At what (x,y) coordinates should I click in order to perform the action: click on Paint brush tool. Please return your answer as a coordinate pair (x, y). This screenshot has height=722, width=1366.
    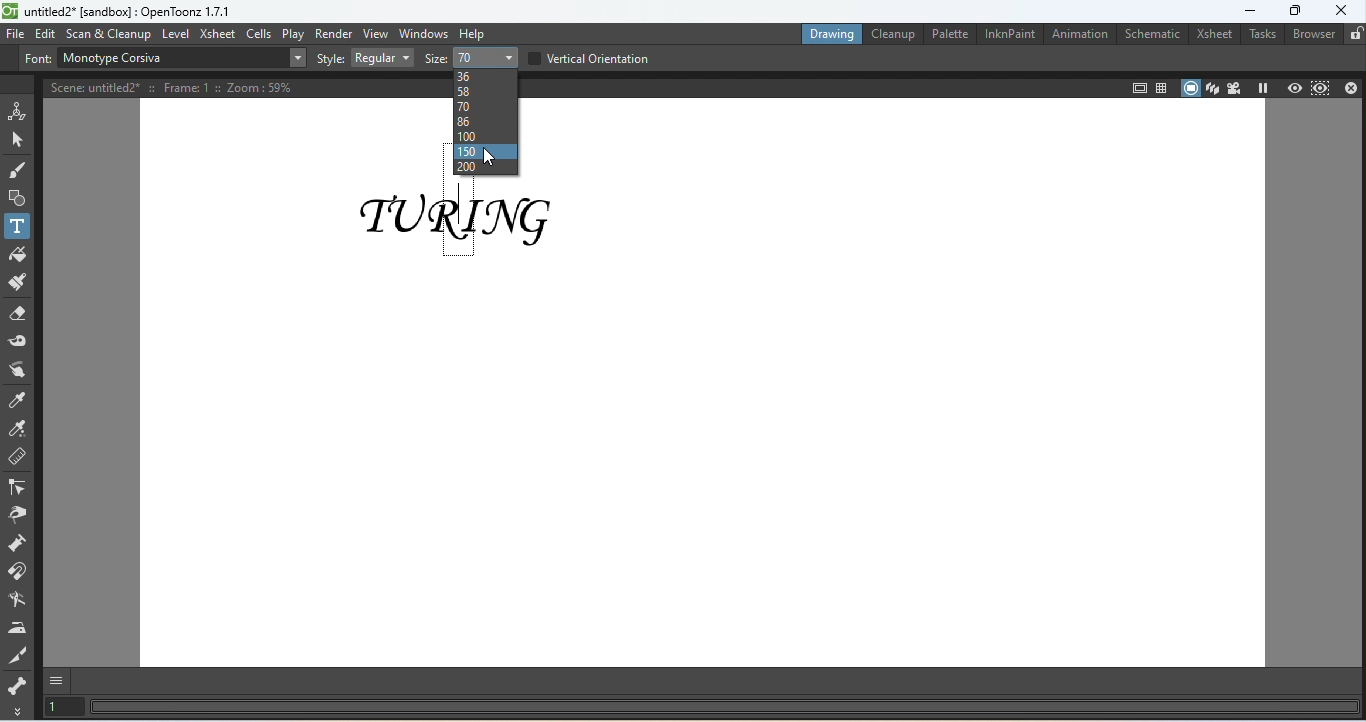
    Looking at the image, I should click on (18, 280).